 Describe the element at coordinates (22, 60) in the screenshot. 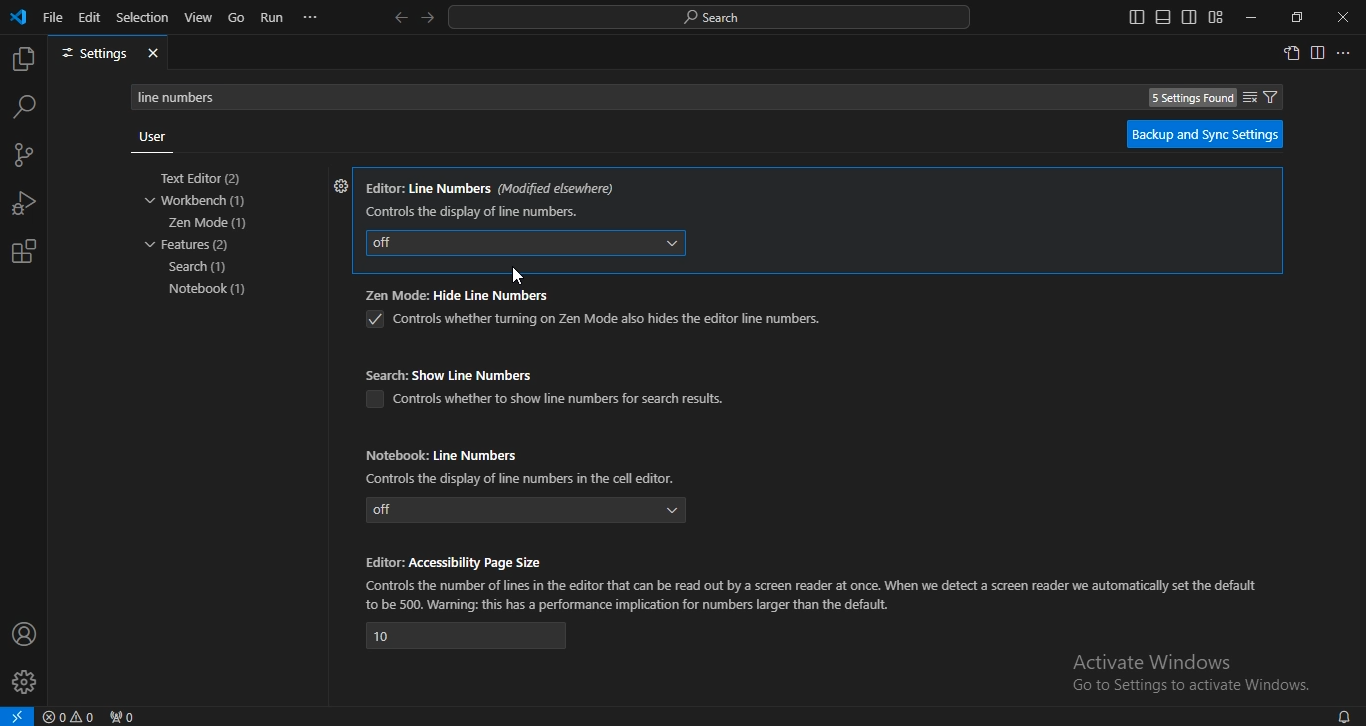

I see `explorer` at that location.